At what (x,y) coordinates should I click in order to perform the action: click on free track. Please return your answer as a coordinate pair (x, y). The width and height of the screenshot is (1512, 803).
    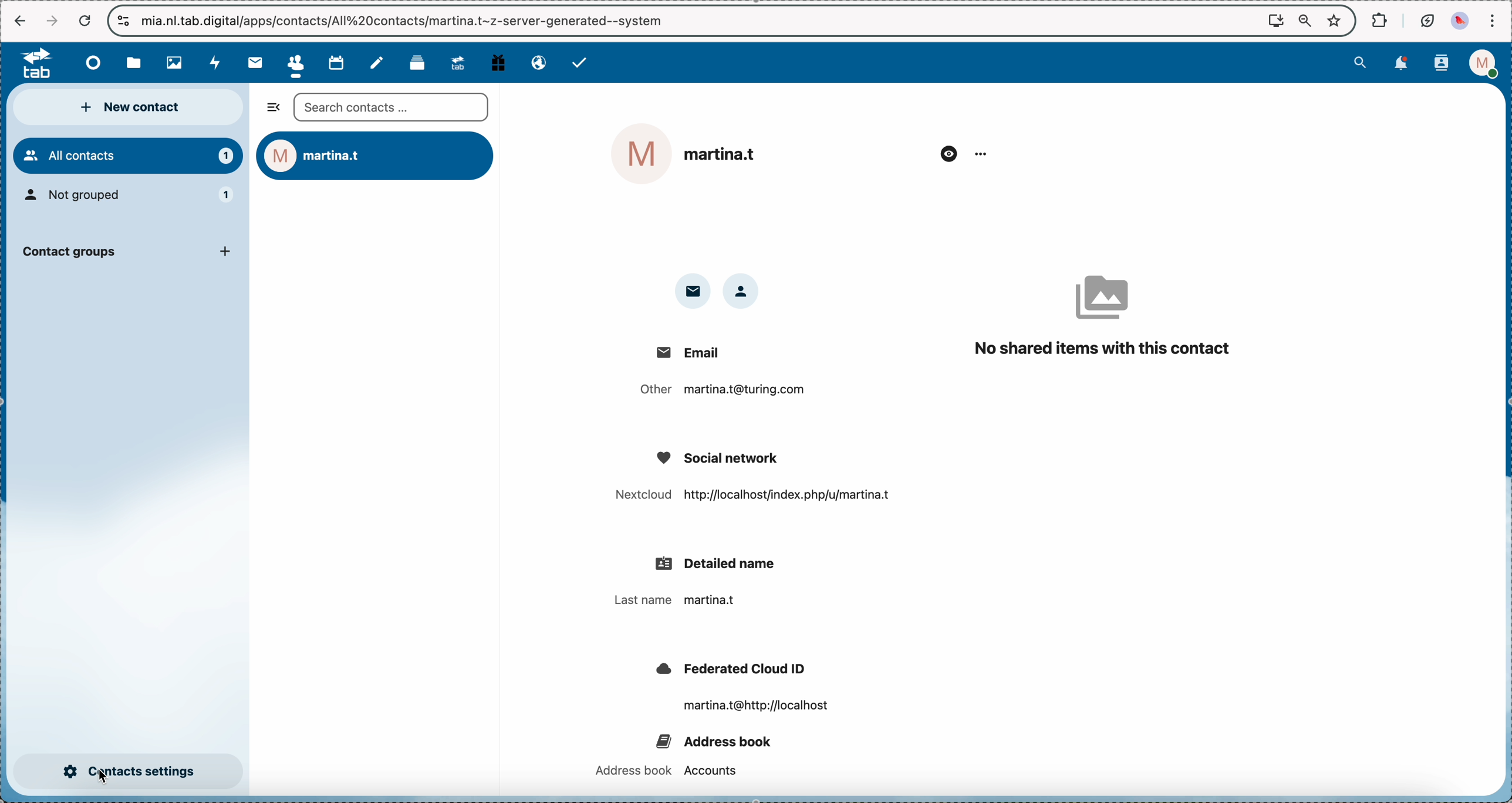
    Looking at the image, I should click on (497, 61).